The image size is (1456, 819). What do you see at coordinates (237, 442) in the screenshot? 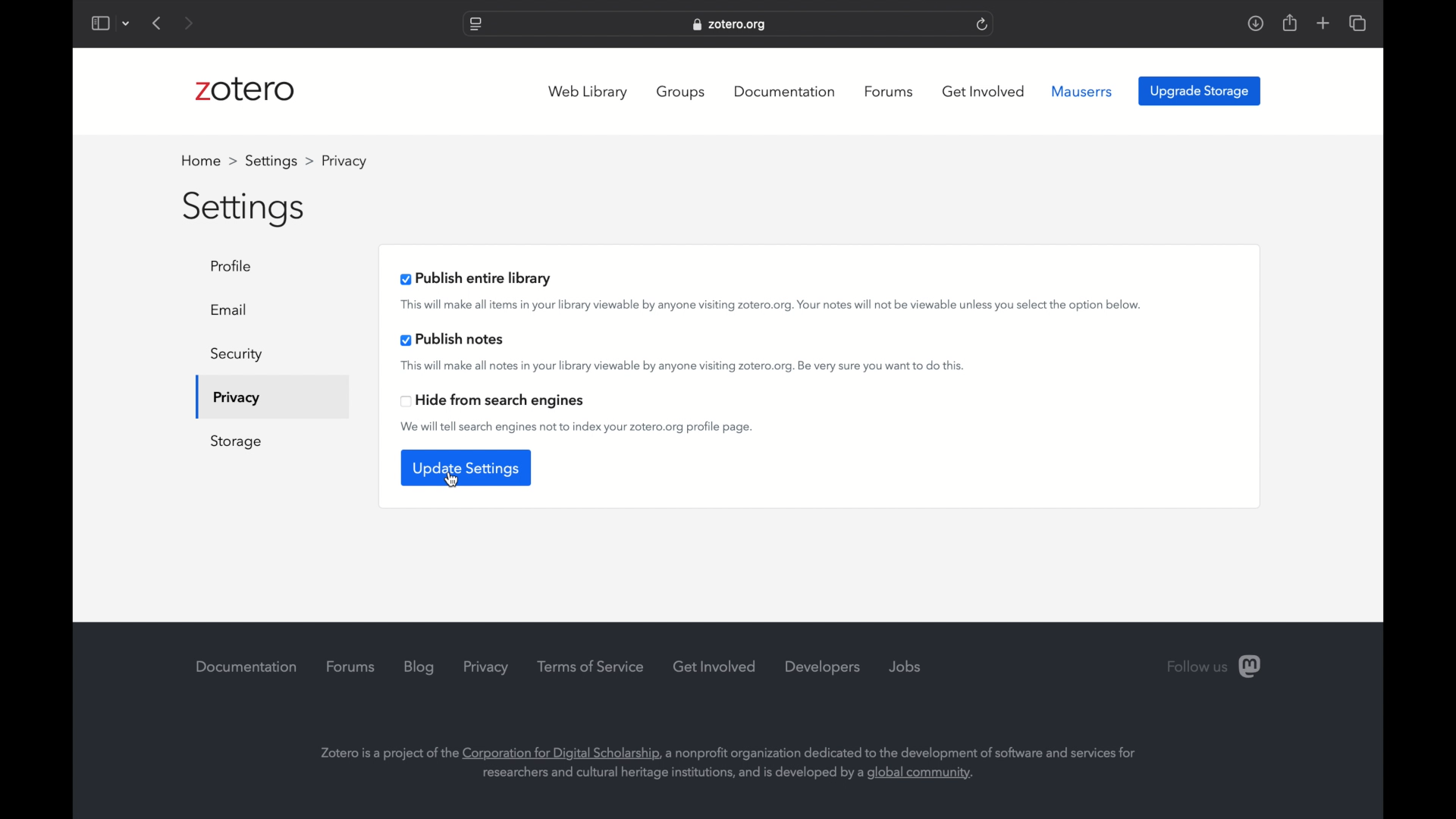
I see `storage` at bounding box center [237, 442].